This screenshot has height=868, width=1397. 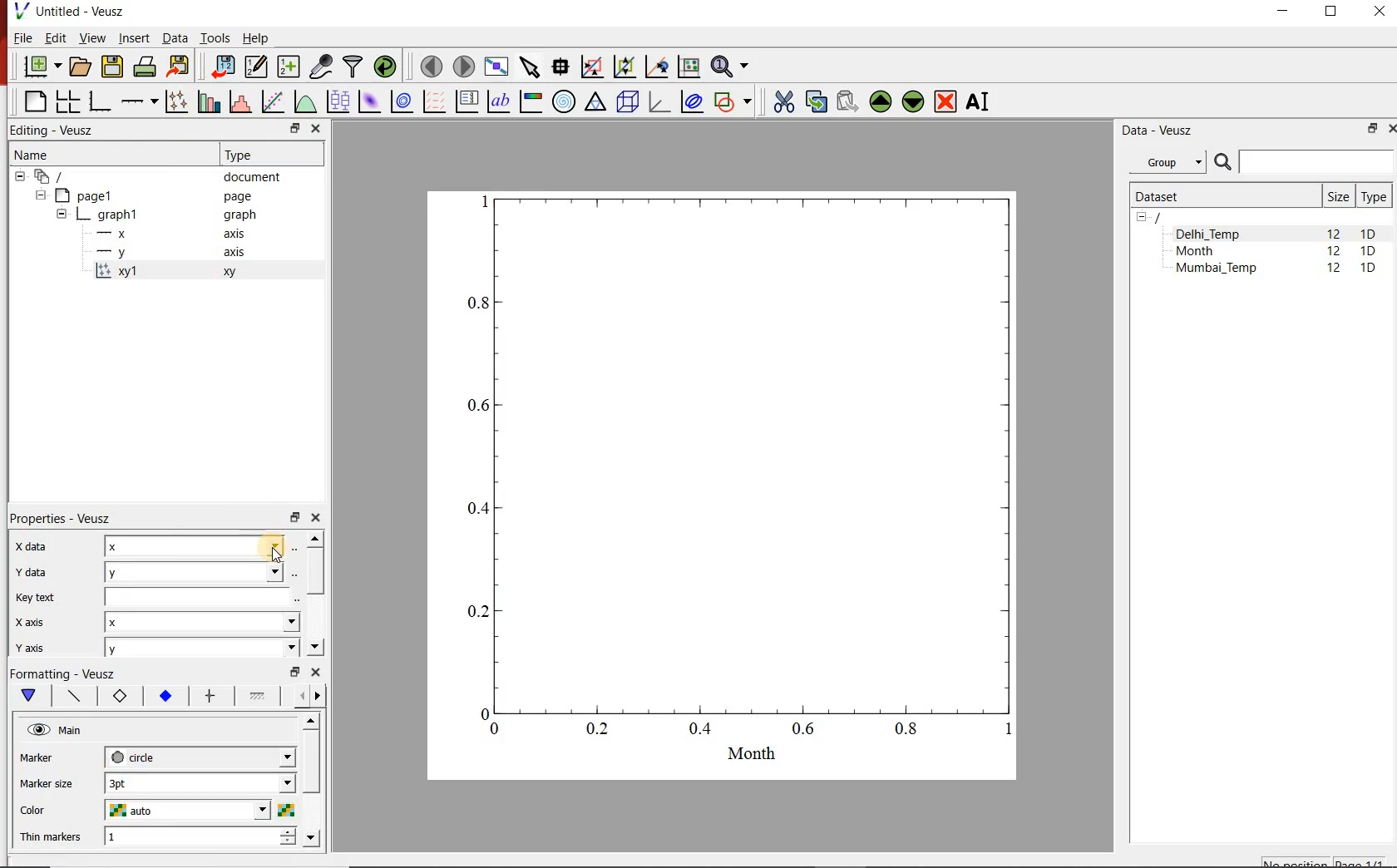 What do you see at coordinates (49, 757) in the screenshot?
I see `marker` at bounding box center [49, 757].